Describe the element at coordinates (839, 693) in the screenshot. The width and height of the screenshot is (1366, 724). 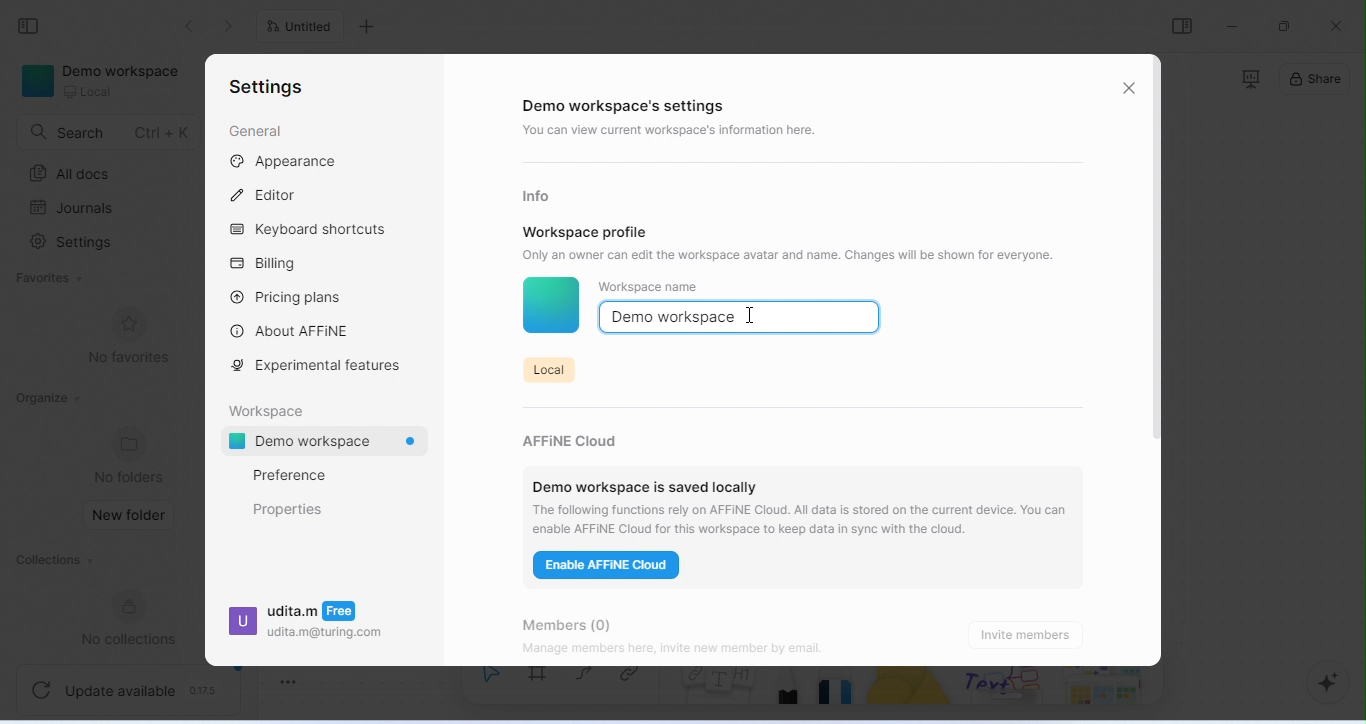
I see `eraser` at that location.